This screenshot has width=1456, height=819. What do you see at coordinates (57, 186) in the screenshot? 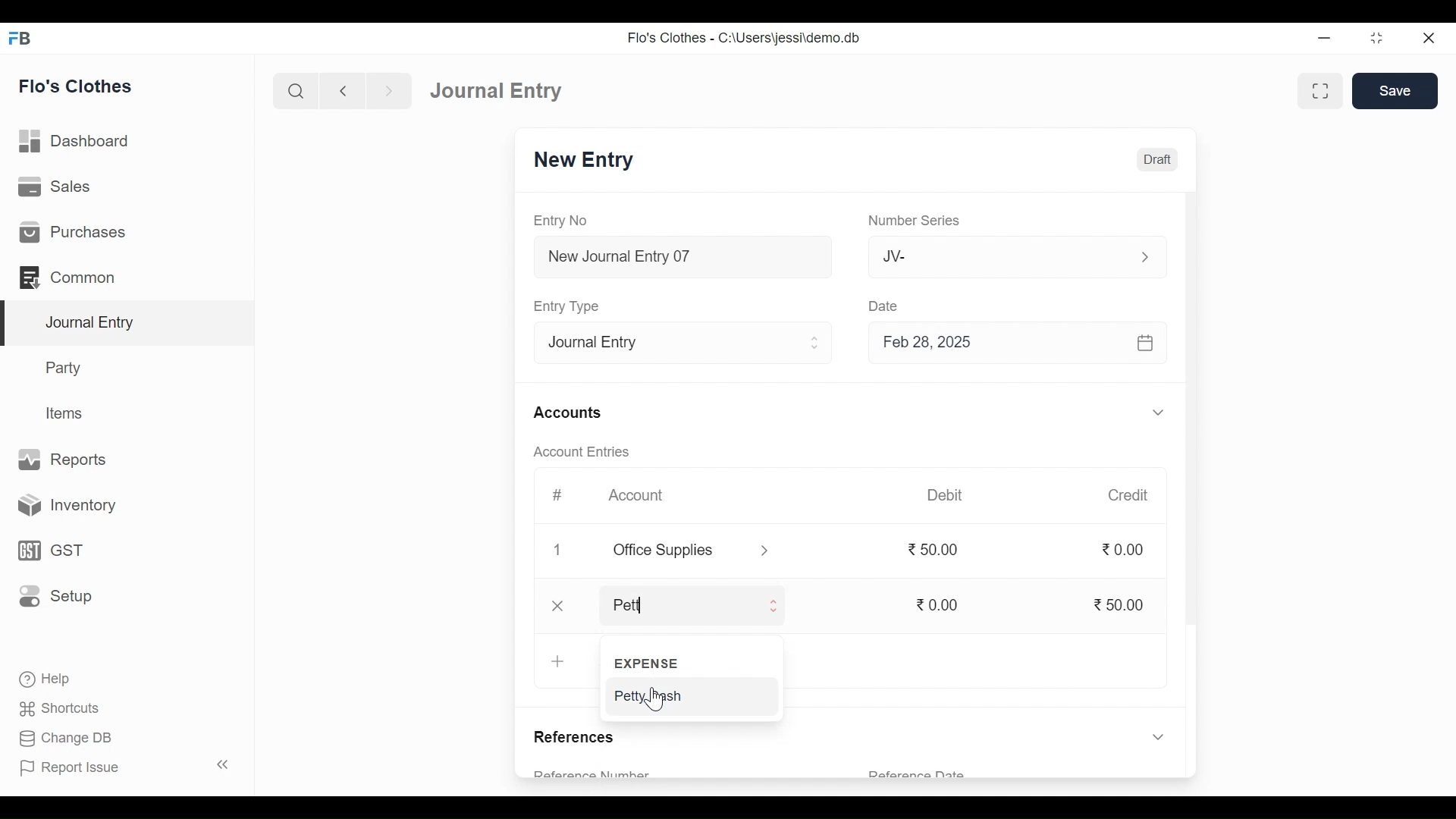
I see `Sales` at bounding box center [57, 186].